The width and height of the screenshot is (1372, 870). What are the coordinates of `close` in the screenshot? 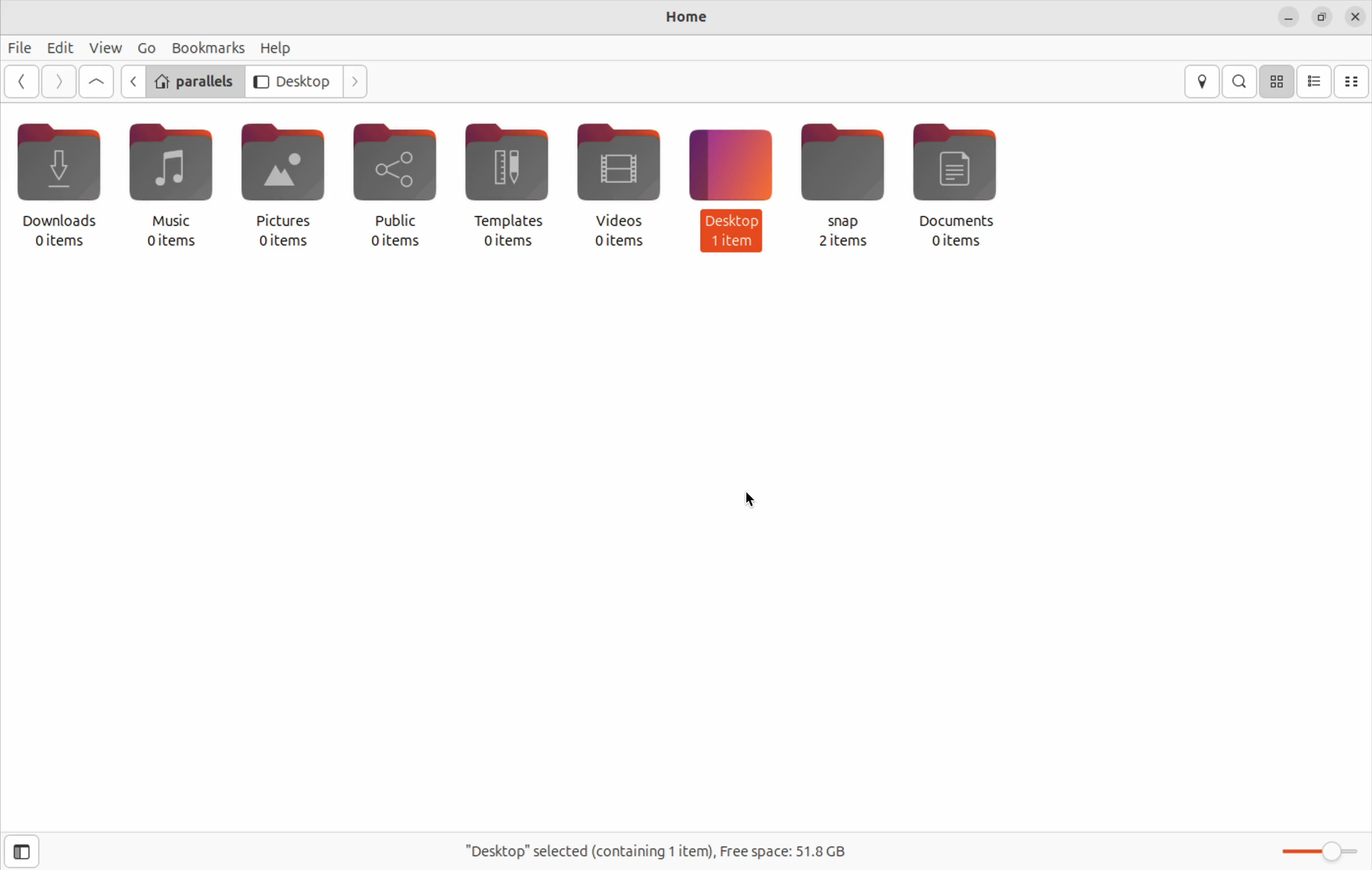 It's located at (1355, 18).